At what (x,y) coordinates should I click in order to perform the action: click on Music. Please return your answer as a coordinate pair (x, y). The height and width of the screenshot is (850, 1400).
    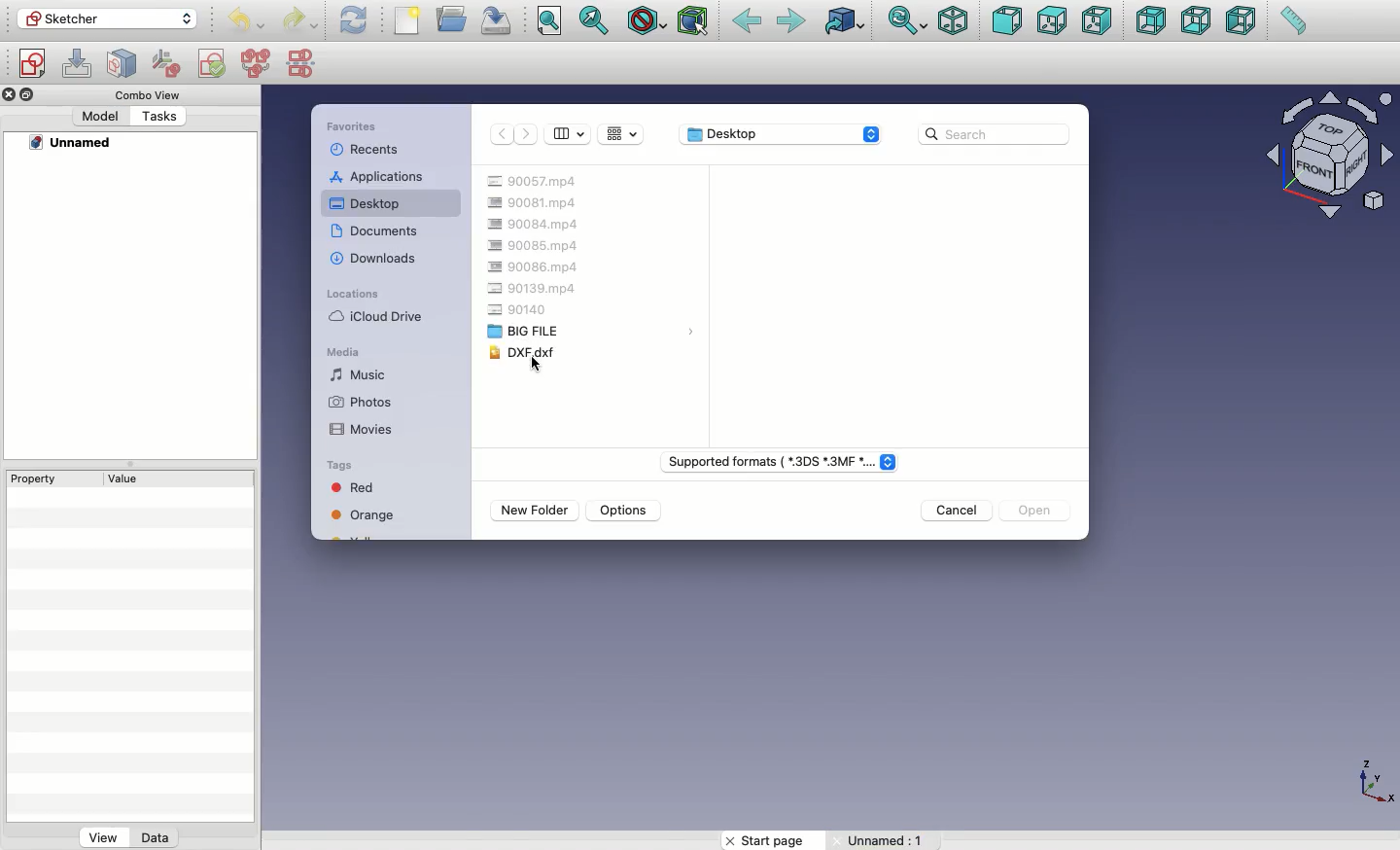
    Looking at the image, I should click on (367, 374).